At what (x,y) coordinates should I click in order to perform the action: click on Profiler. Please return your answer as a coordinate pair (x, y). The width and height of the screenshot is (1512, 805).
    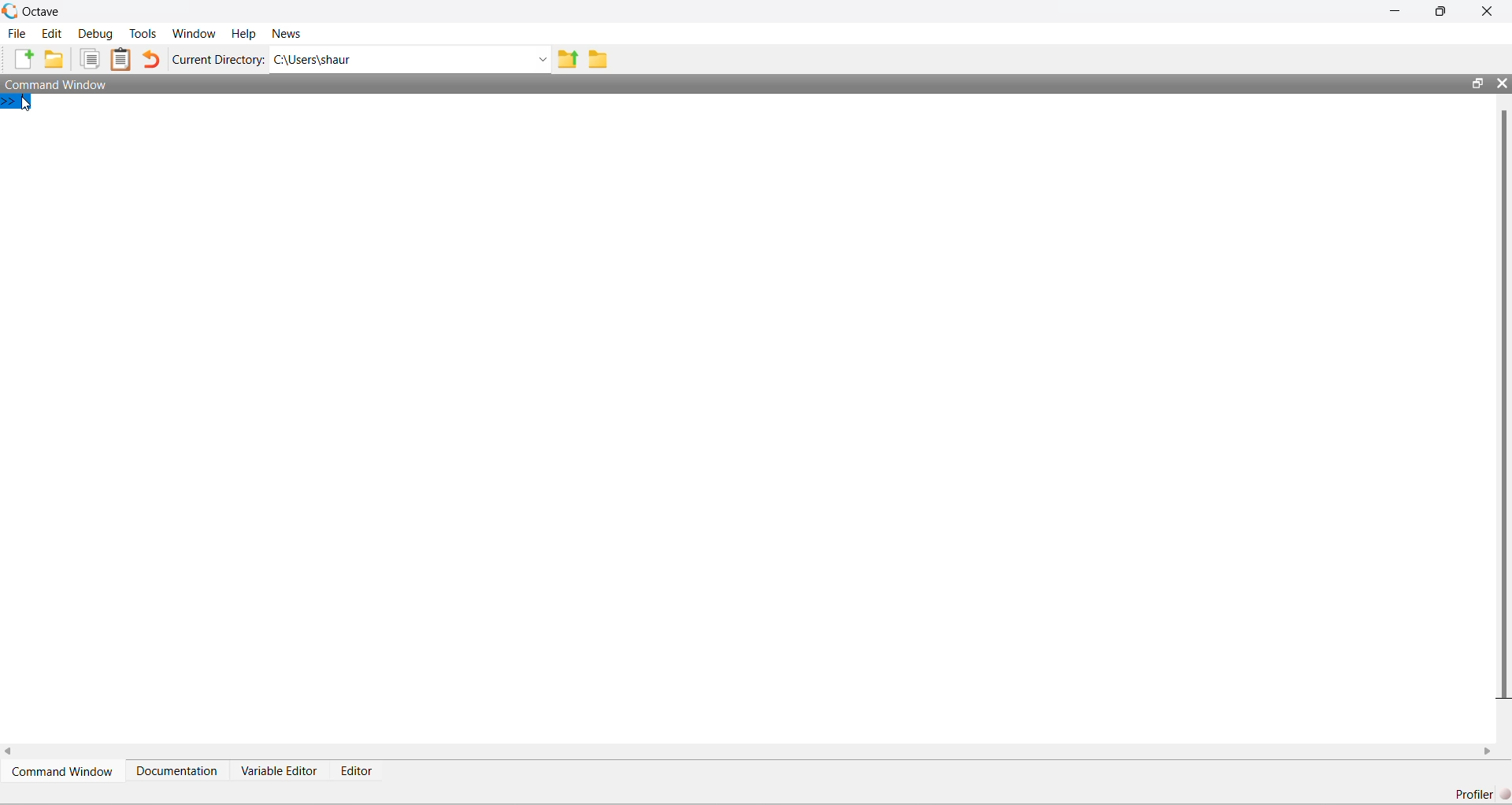
    Looking at the image, I should click on (1480, 793).